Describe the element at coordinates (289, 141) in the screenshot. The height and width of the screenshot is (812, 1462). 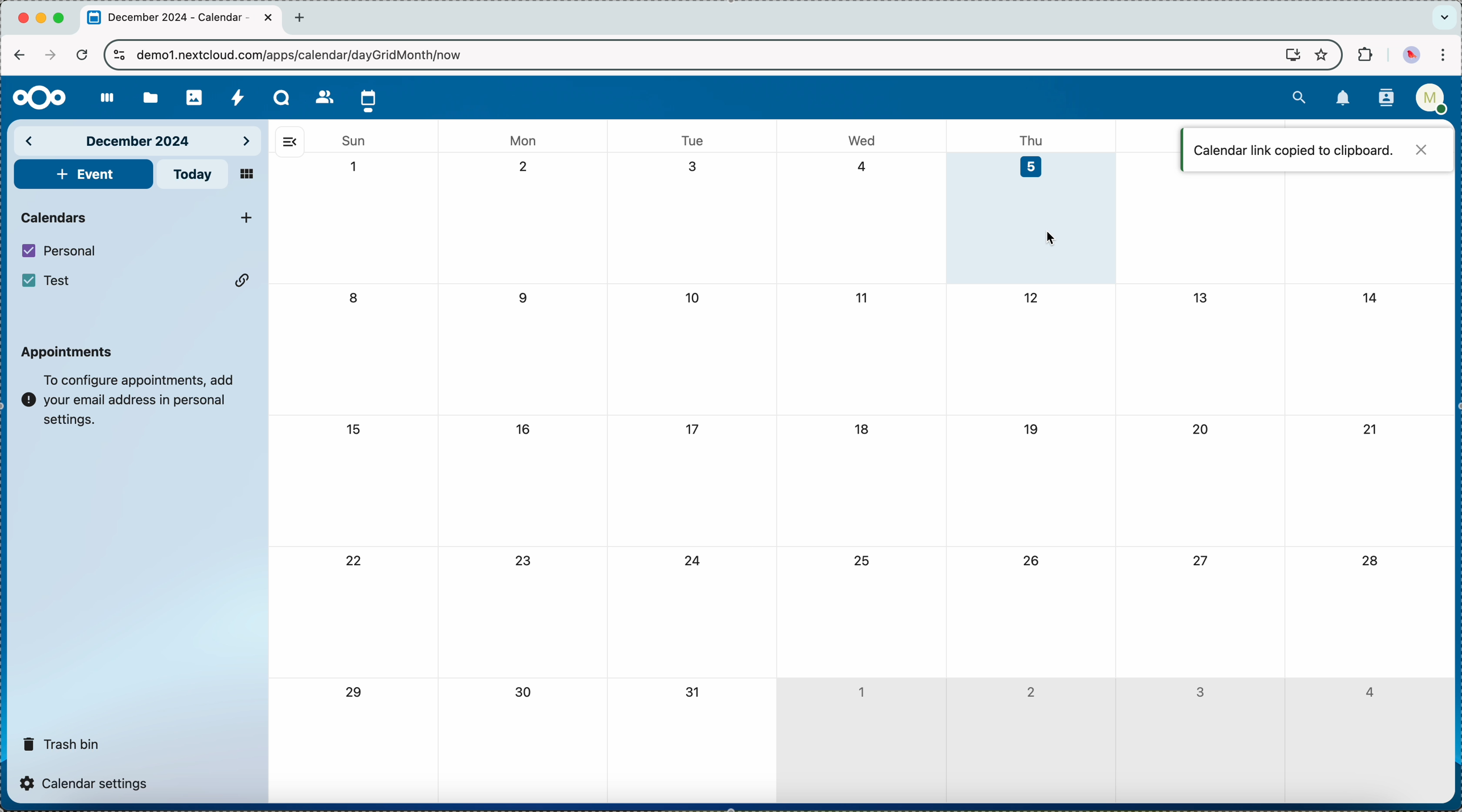
I see `hide side bar` at that location.